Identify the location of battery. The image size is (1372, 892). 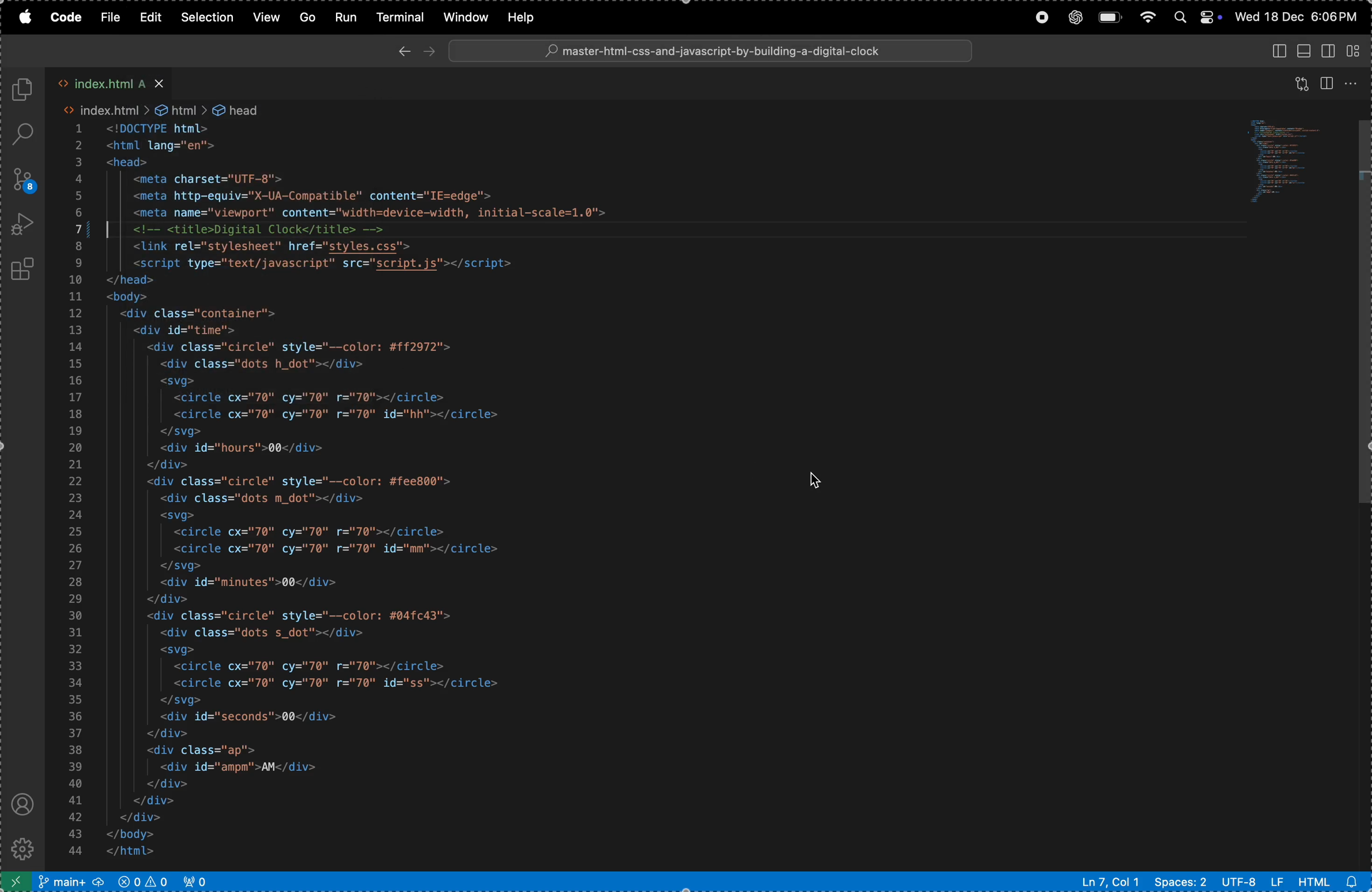
(1109, 17).